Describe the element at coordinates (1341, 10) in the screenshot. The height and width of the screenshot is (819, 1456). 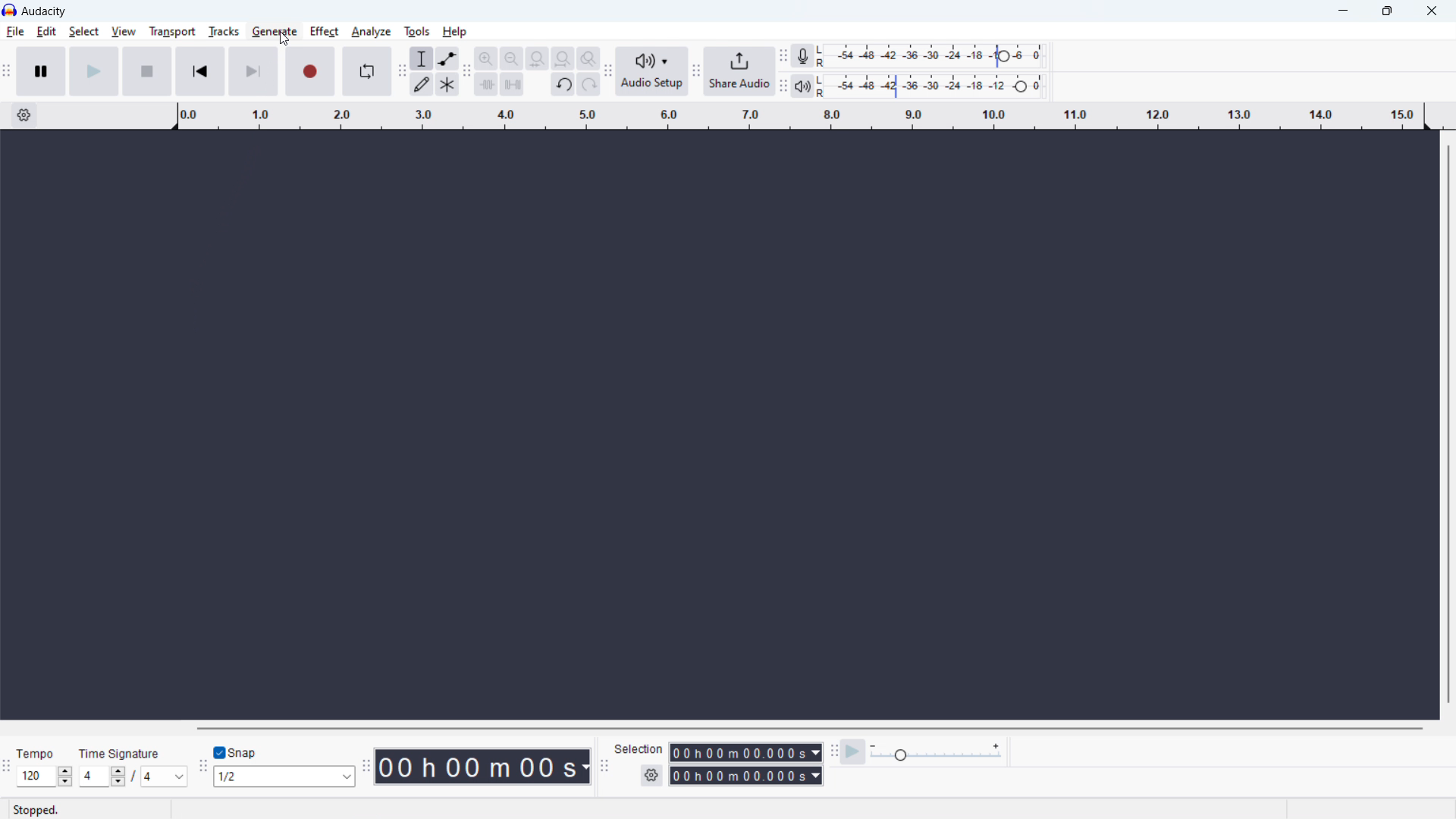
I see `minimize` at that location.